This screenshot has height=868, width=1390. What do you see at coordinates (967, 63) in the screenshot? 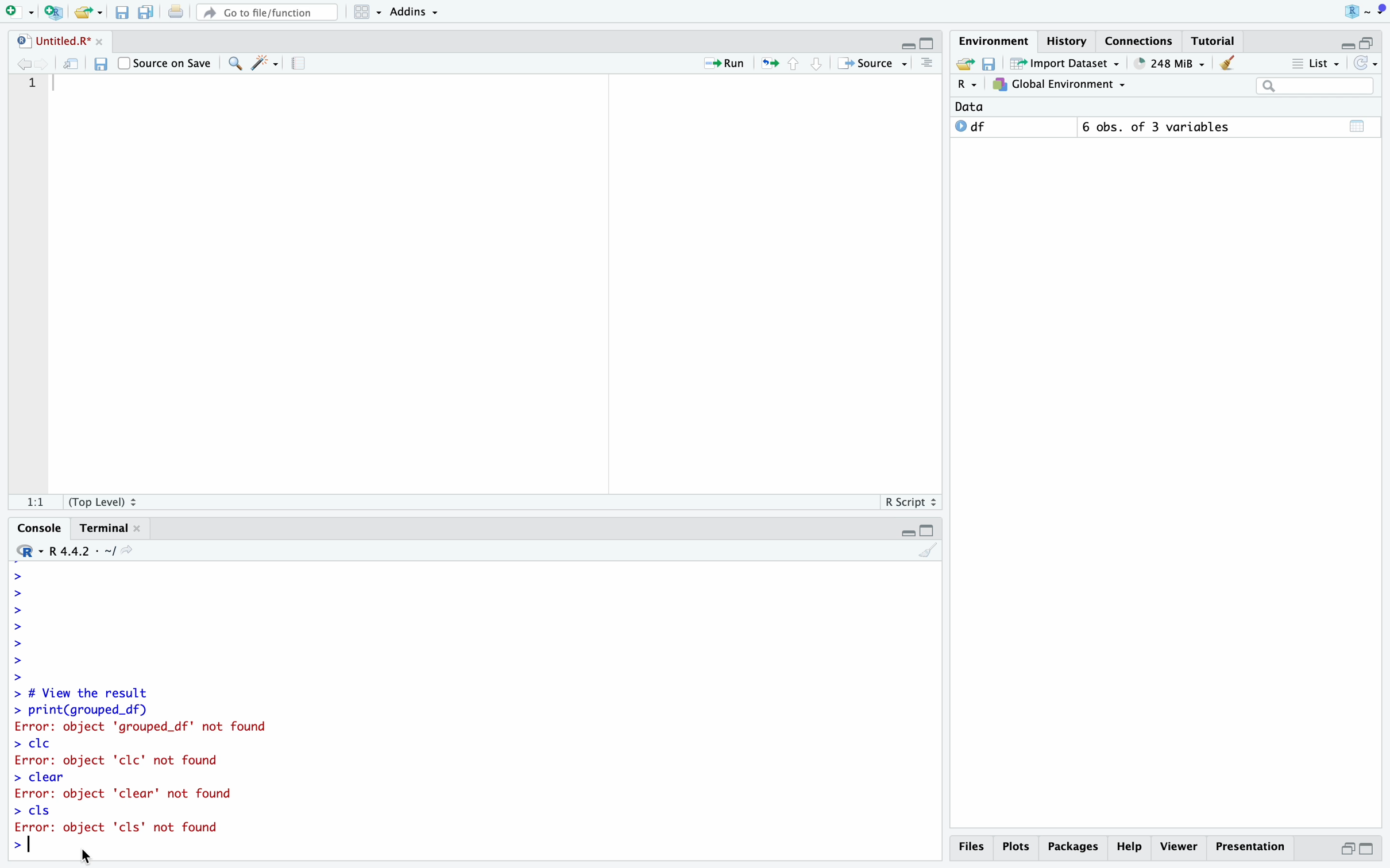
I see `Export history logs` at bounding box center [967, 63].